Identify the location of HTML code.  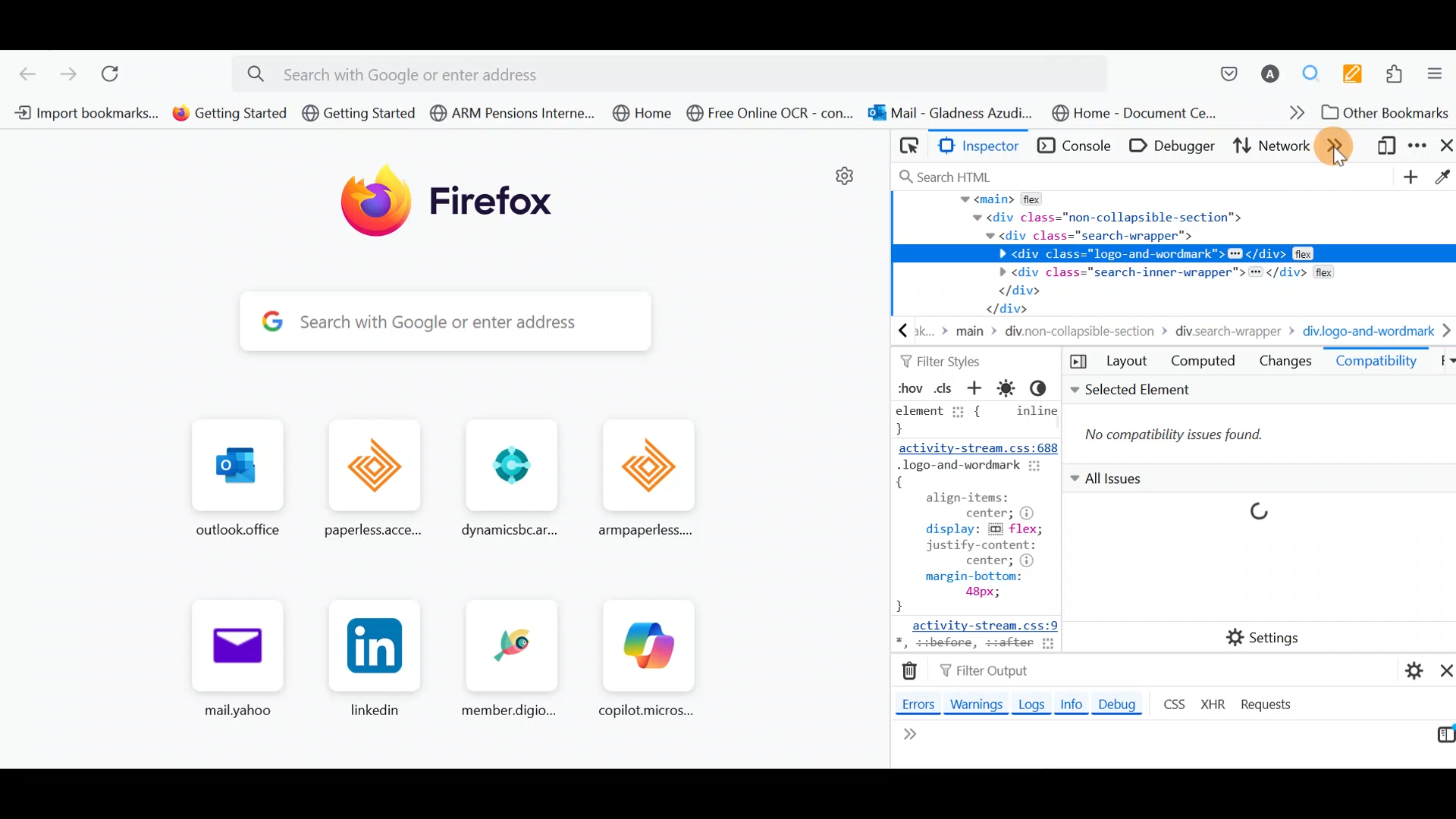
(973, 527).